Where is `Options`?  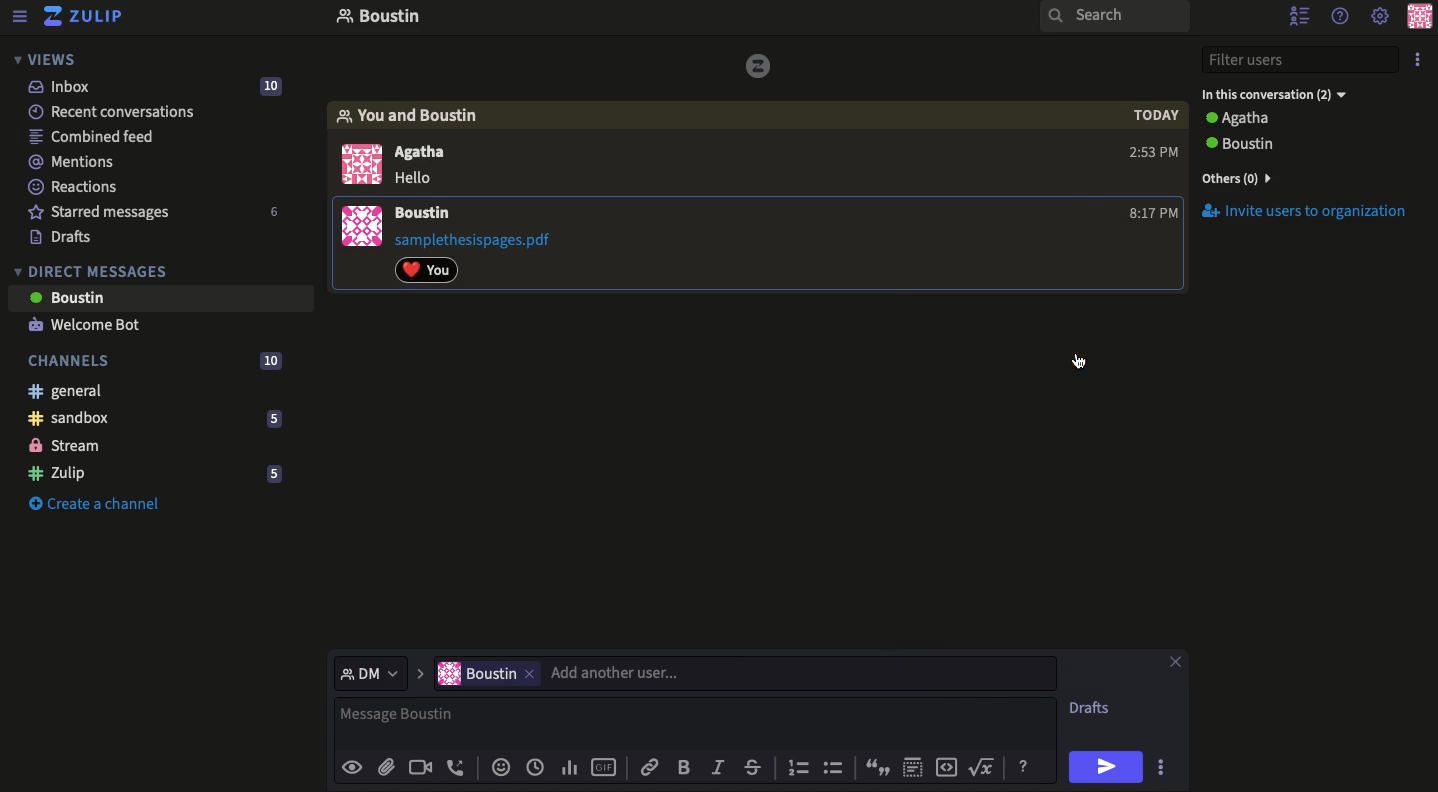 Options is located at coordinates (1420, 60).